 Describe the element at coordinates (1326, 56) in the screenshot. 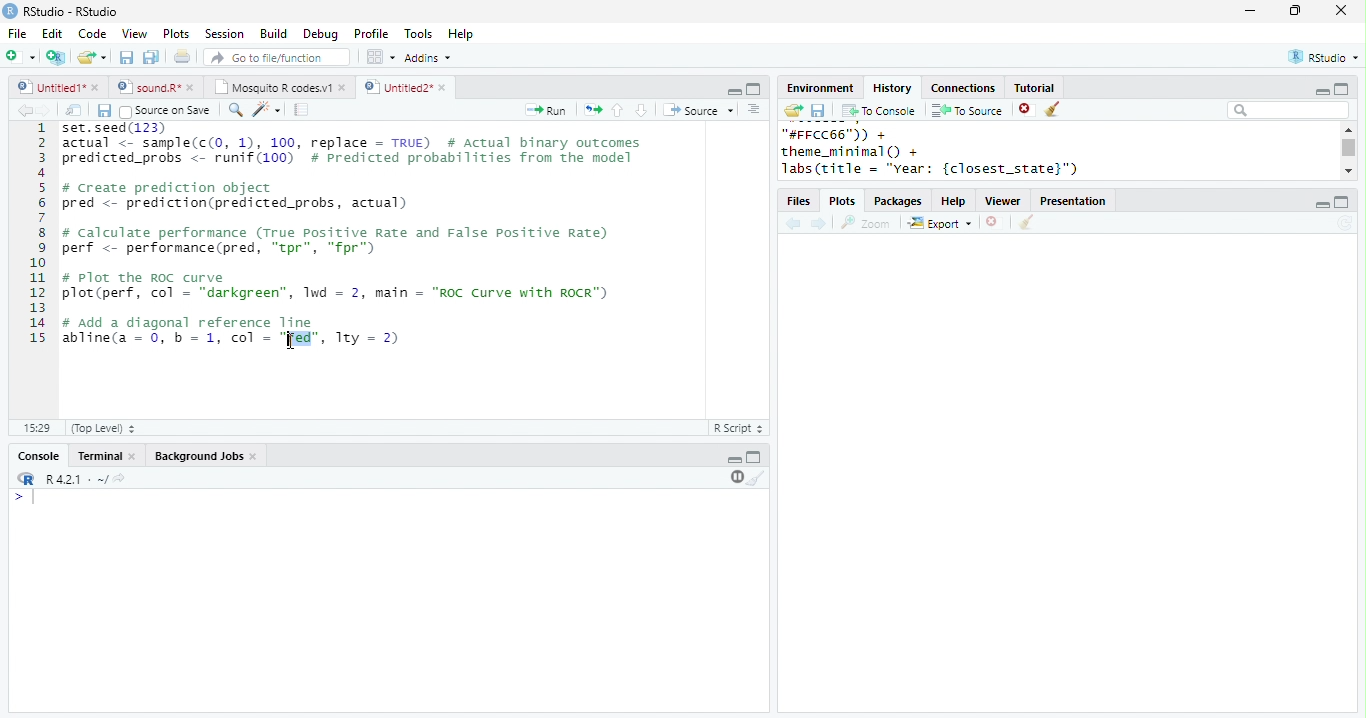

I see `RStudio` at that location.